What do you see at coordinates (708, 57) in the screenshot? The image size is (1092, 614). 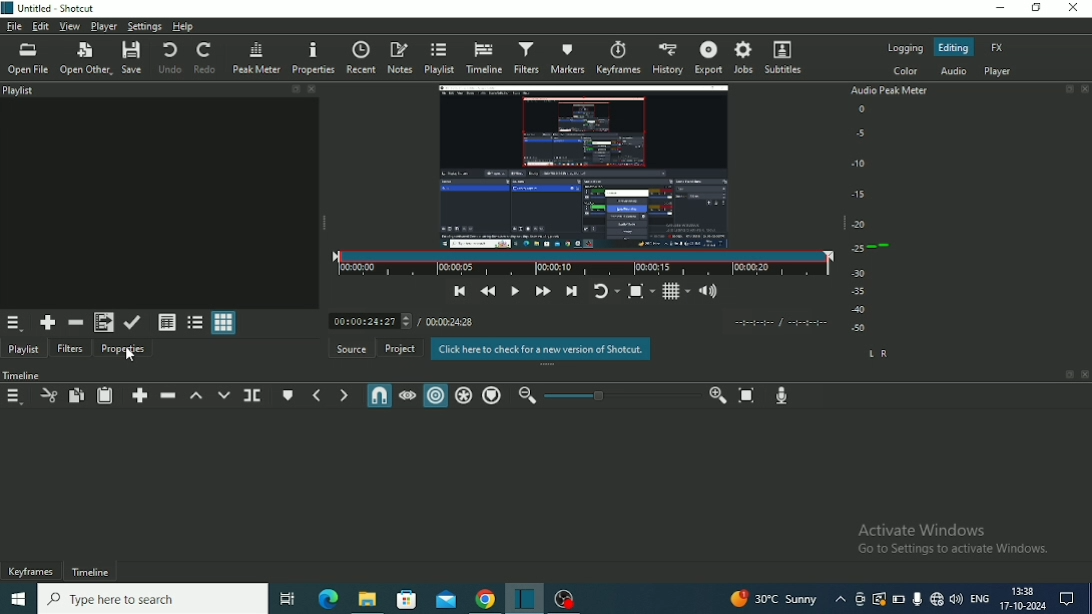 I see `Export` at bounding box center [708, 57].